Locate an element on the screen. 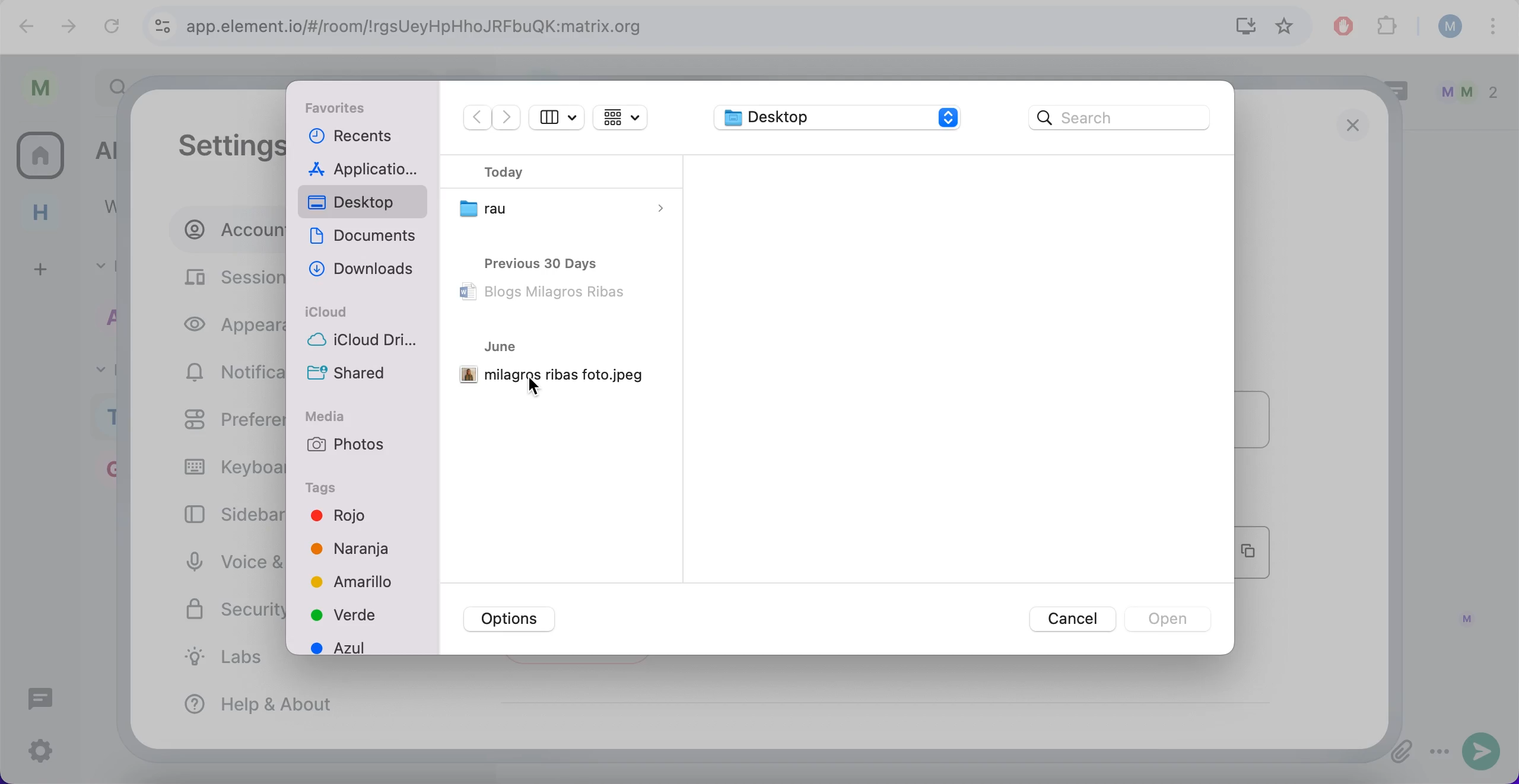 The width and height of the screenshot is (1519, 784). backward is located at coordinates (21, 27).